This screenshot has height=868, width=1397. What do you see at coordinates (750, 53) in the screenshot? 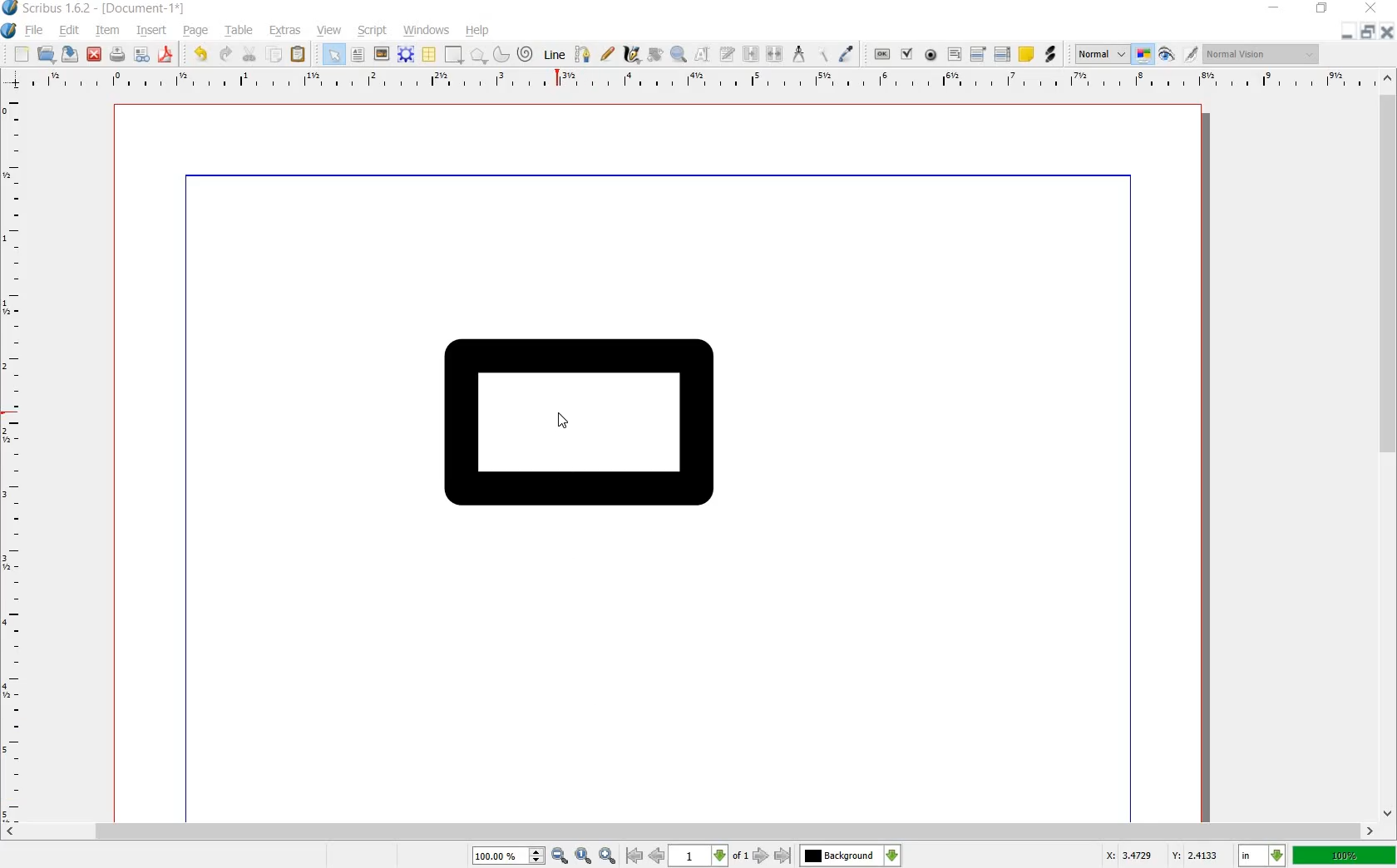
I see `link text frames` at bounding box center [750, 53].